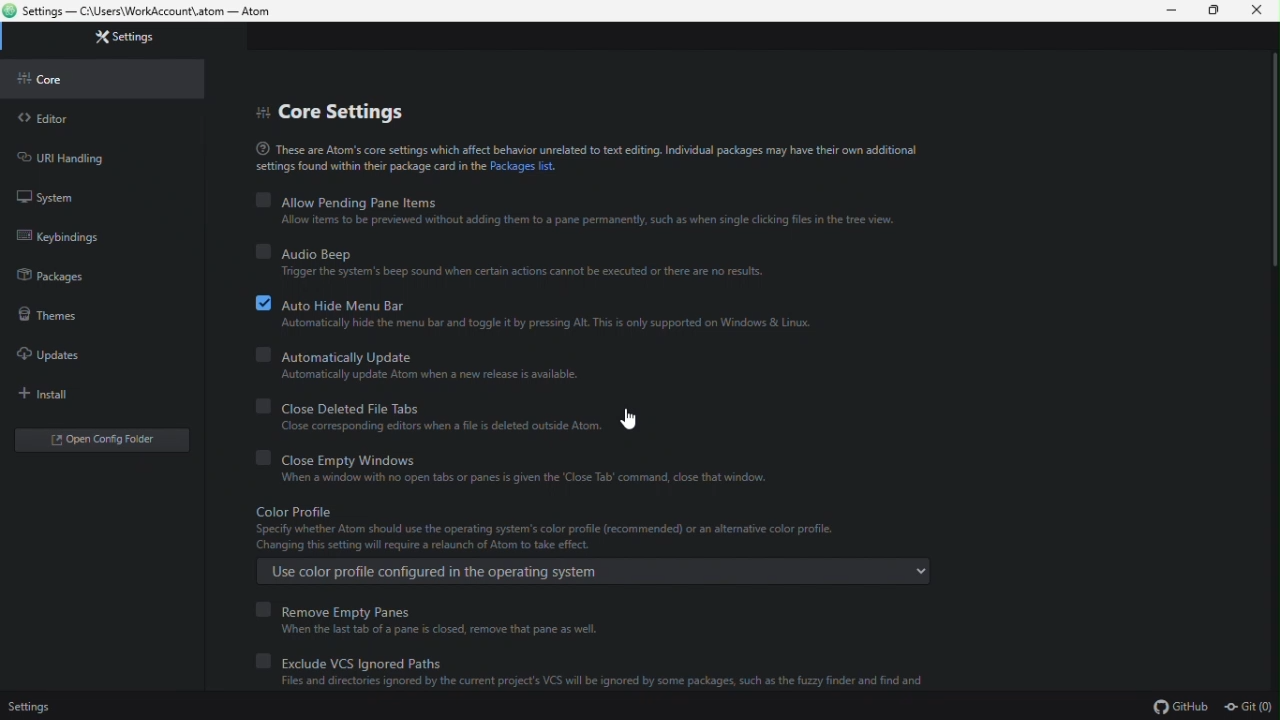 This screenshot has height=720, width=1280. What do you see at coordinates (328, 457) in the screenshot?
I see `Close empty windows` at bounding box center [328, 457].